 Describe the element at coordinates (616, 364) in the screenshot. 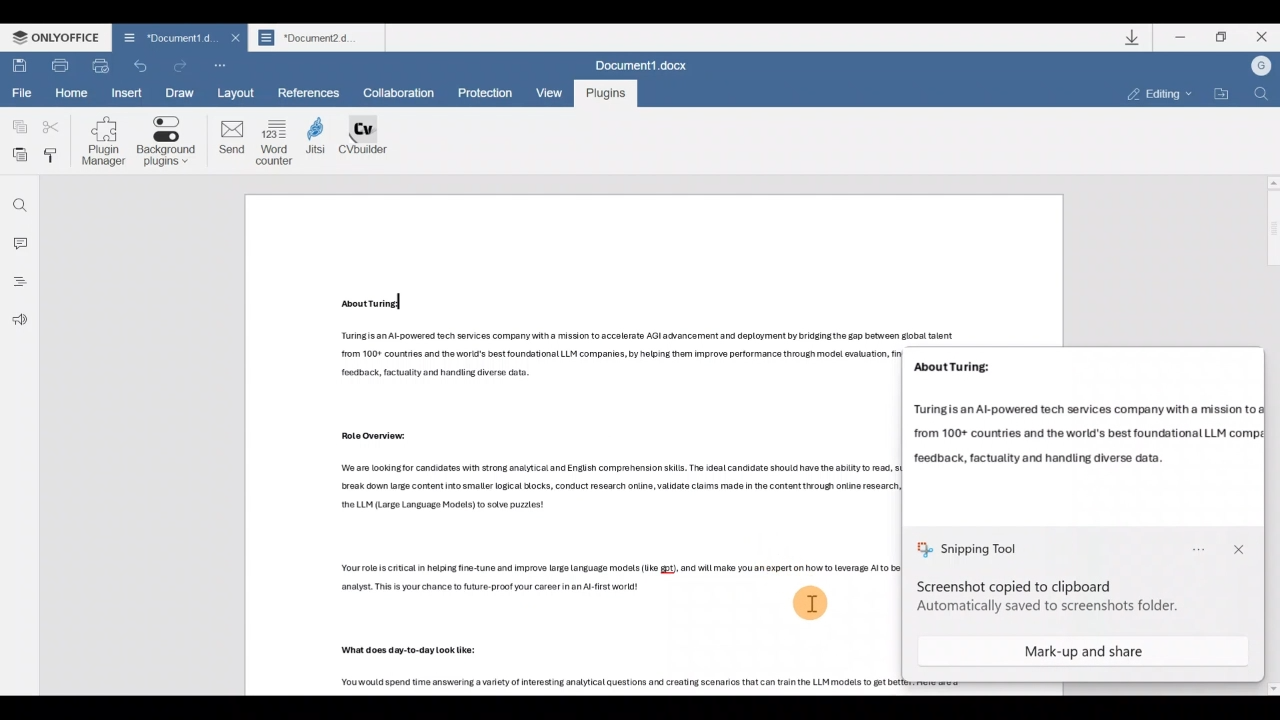

I see `` at that location.